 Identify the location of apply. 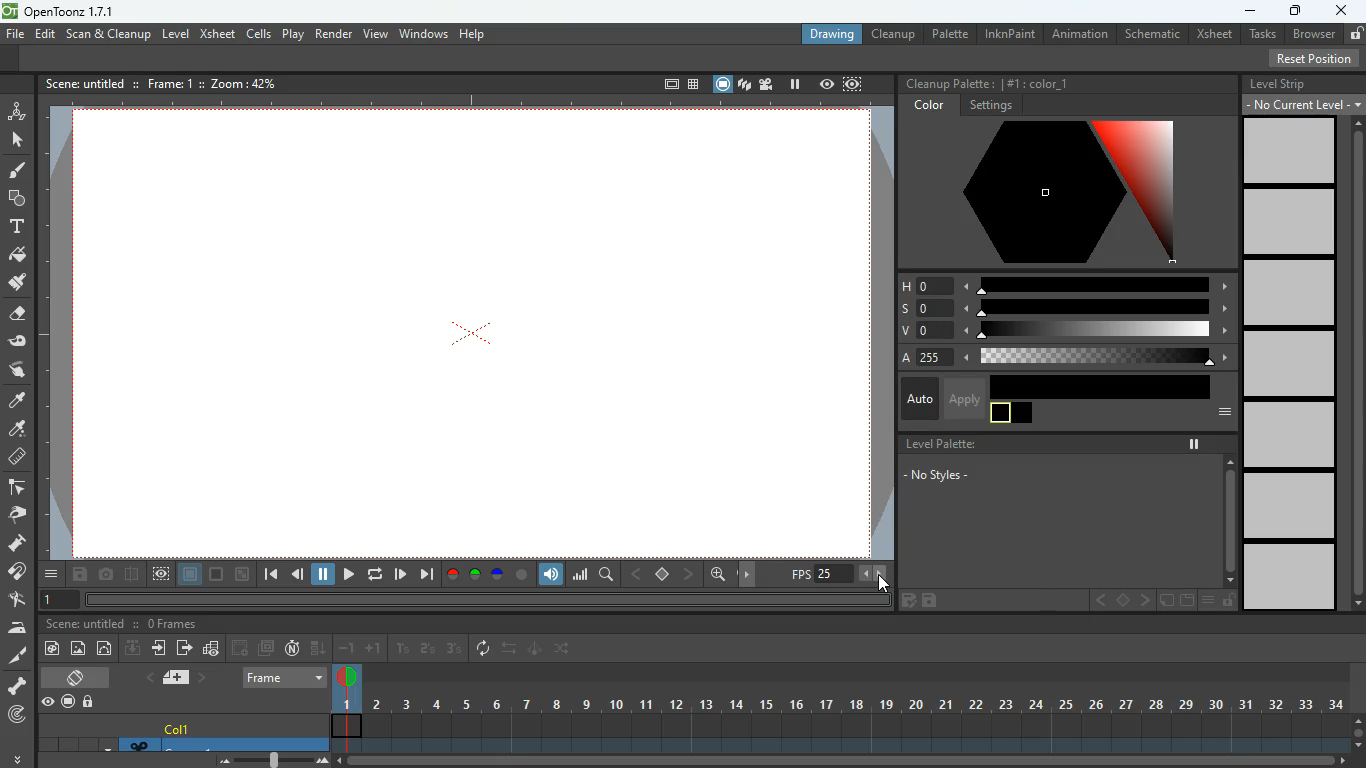
(964, 398).